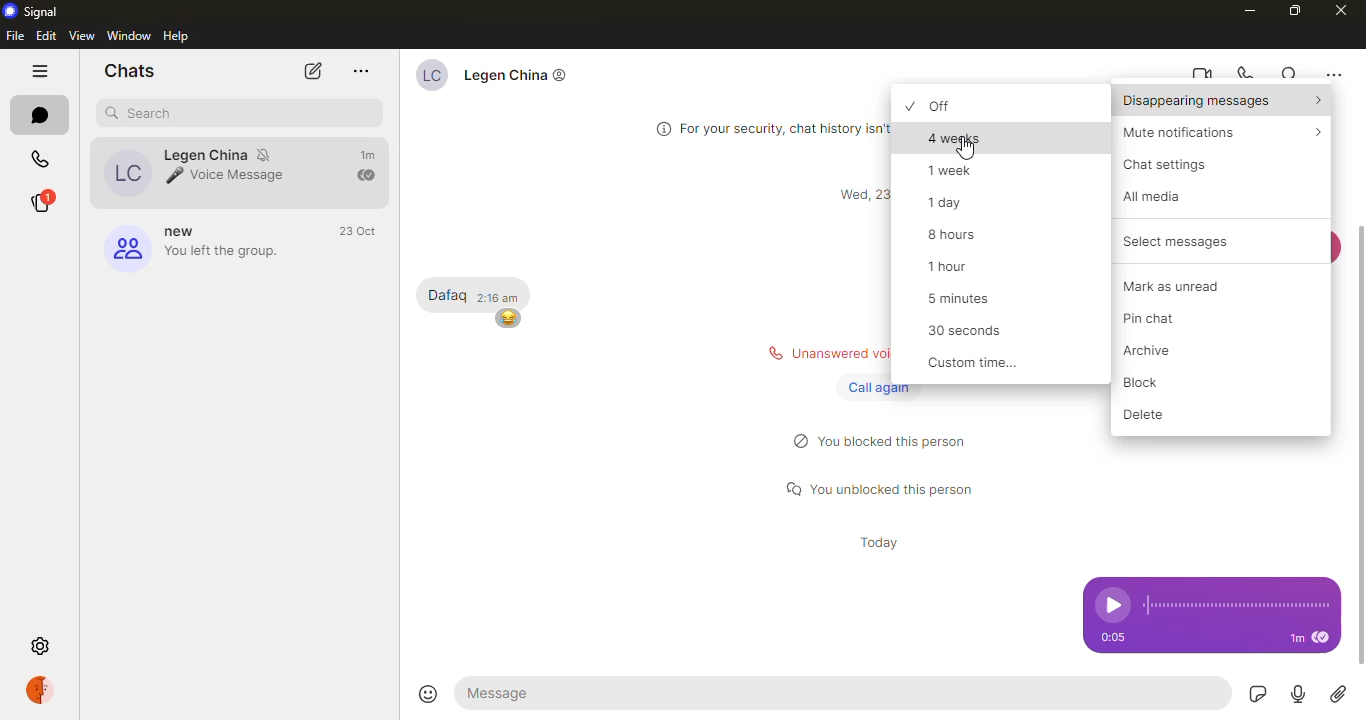 The image size is (1366, 720). Describe the element at coordinates (1259, 694) in the screenshot. I see `sticker` at that location.